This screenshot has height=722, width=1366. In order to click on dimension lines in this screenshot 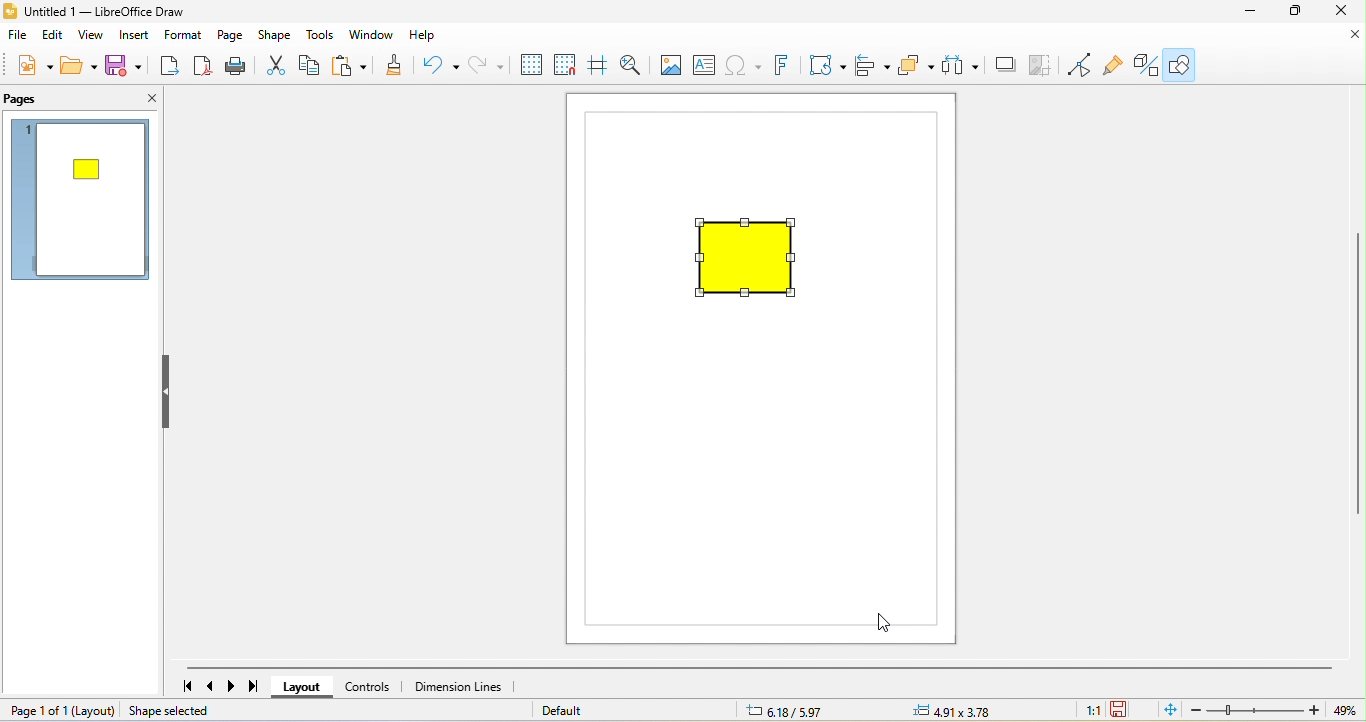, I will do `click(466, 685)`.